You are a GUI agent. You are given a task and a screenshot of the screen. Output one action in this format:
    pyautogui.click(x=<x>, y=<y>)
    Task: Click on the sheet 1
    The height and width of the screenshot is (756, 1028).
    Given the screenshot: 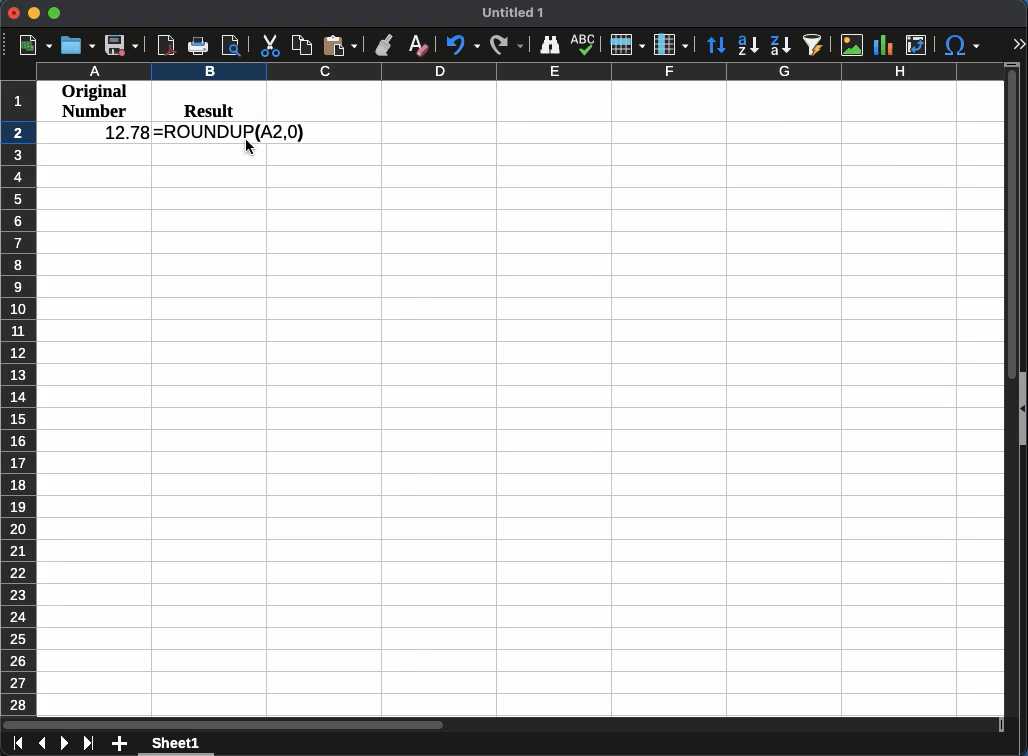 What is the action you would take?
    pyautogui.click(x=180, y=746)
    